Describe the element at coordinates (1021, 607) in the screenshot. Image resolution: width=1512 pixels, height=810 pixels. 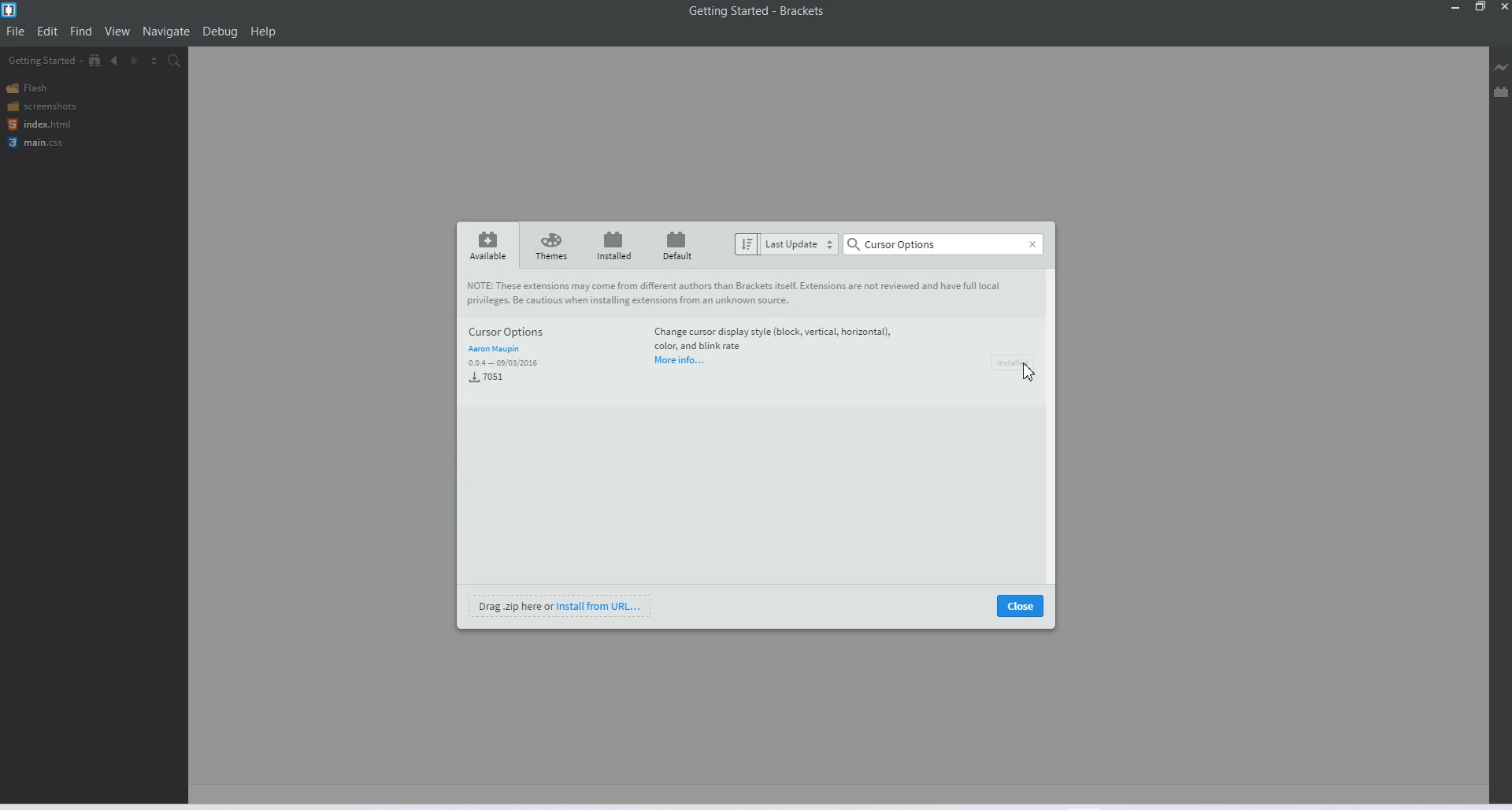
I see `close` at that location.